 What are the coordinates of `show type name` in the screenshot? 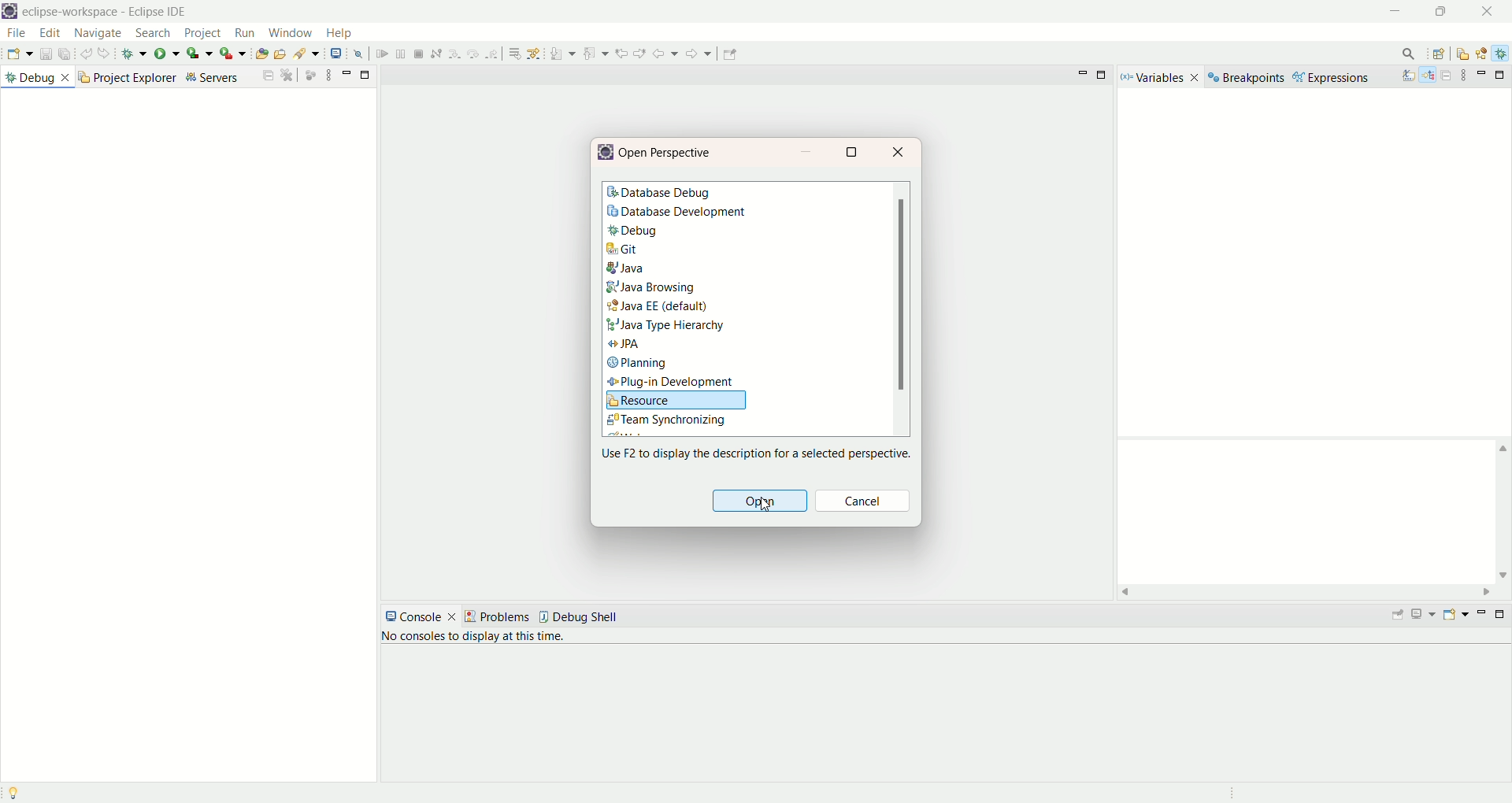 It's located at (1406, 75).